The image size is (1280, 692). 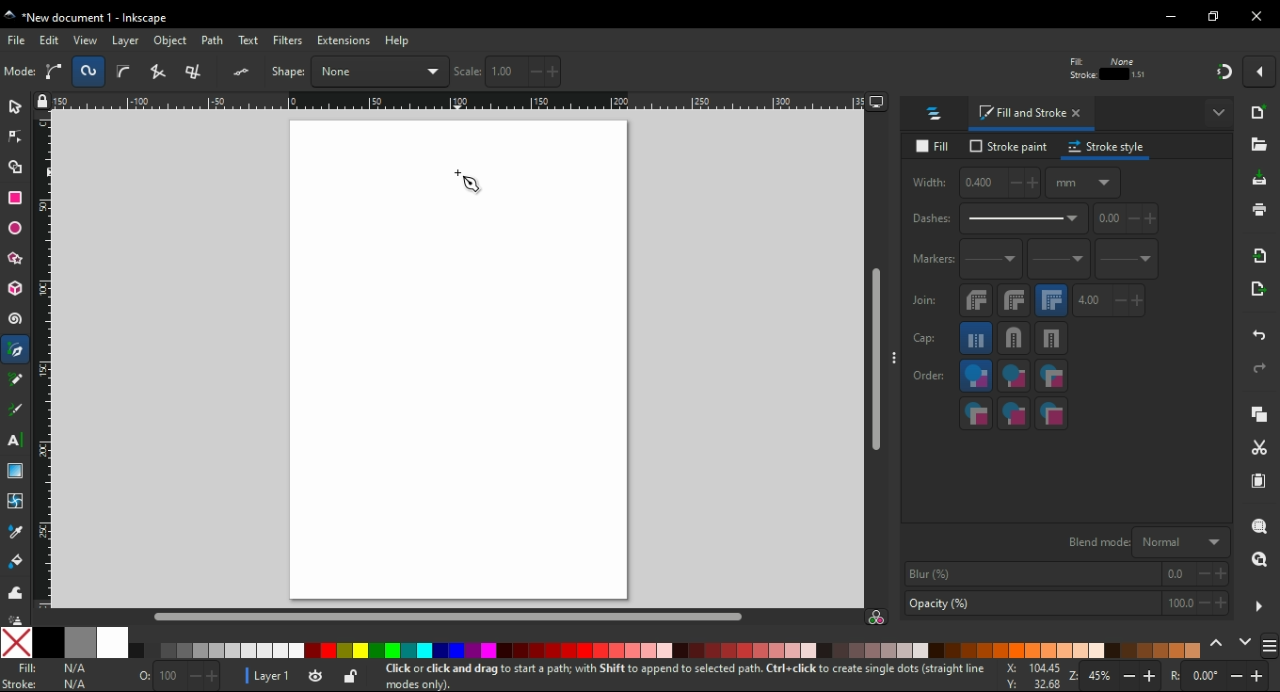 I want to click on copy, so click(x=1259, y=415).